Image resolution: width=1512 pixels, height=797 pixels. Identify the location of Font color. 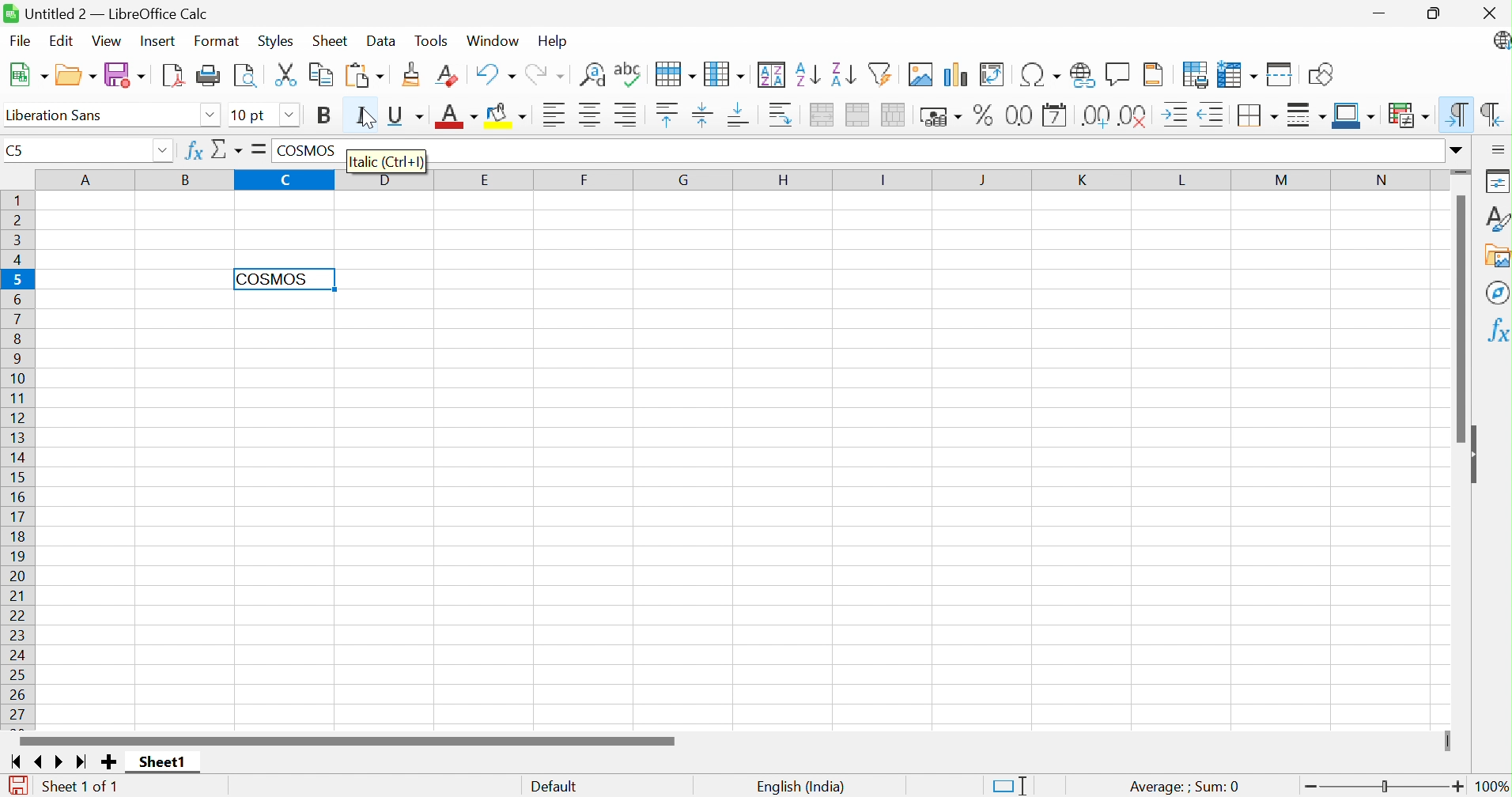
(455, 114).